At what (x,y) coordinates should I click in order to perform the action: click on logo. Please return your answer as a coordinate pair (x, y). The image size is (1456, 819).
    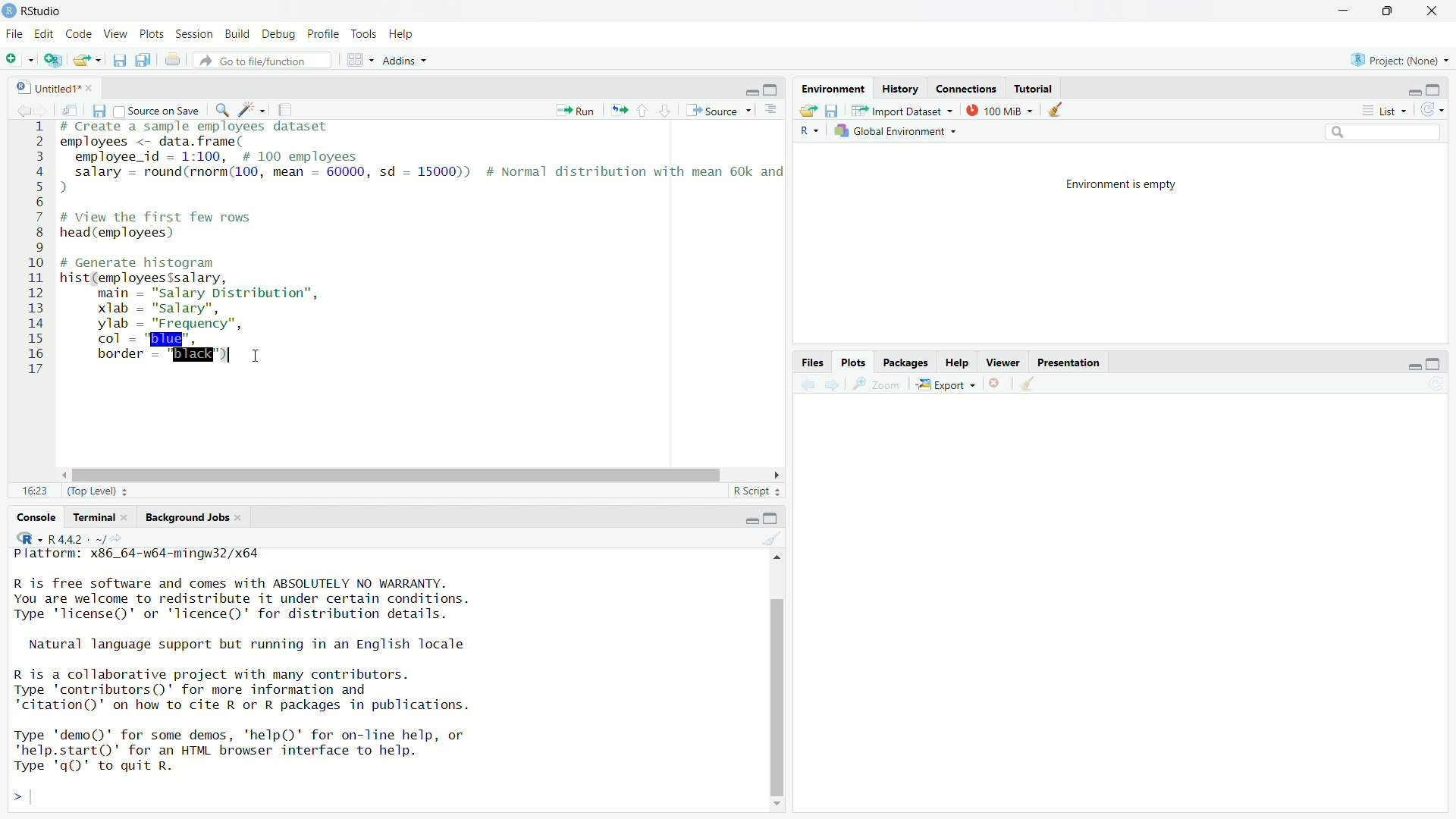
    Looking at the image, I should click on (9, 10).